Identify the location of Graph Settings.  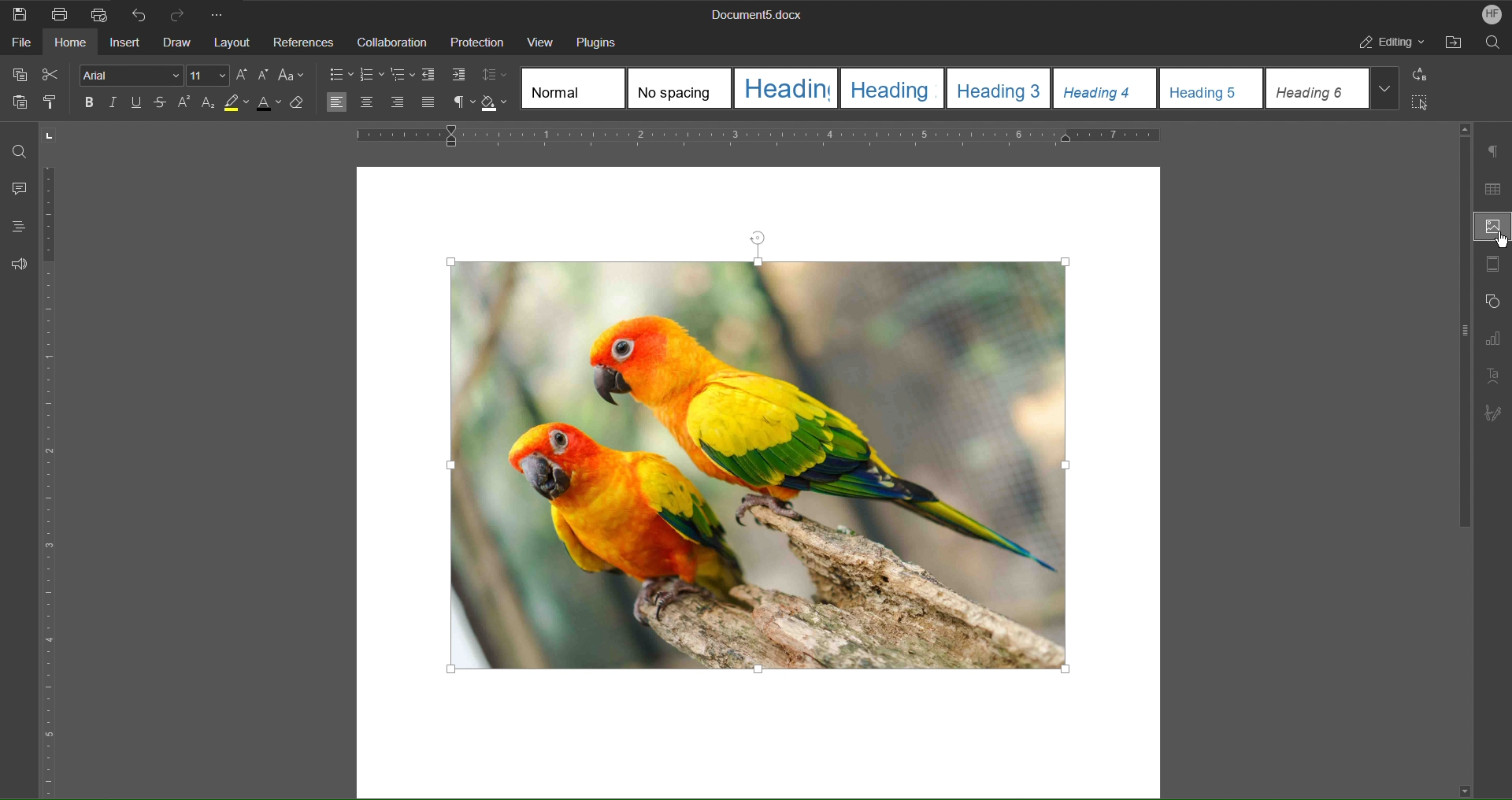
(1492, 342).